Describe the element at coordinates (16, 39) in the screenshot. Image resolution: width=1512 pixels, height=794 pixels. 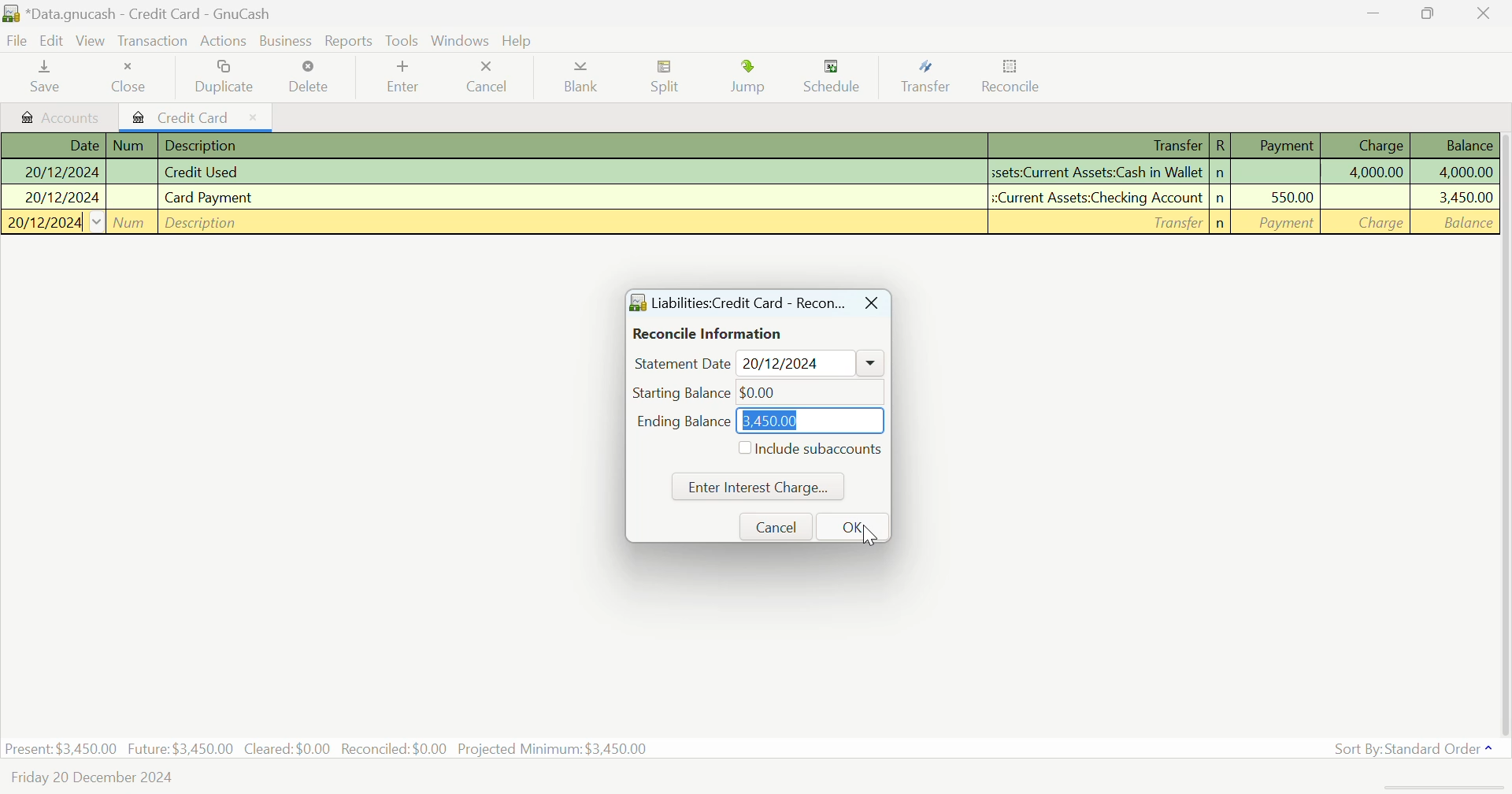
I see `File` at that location.